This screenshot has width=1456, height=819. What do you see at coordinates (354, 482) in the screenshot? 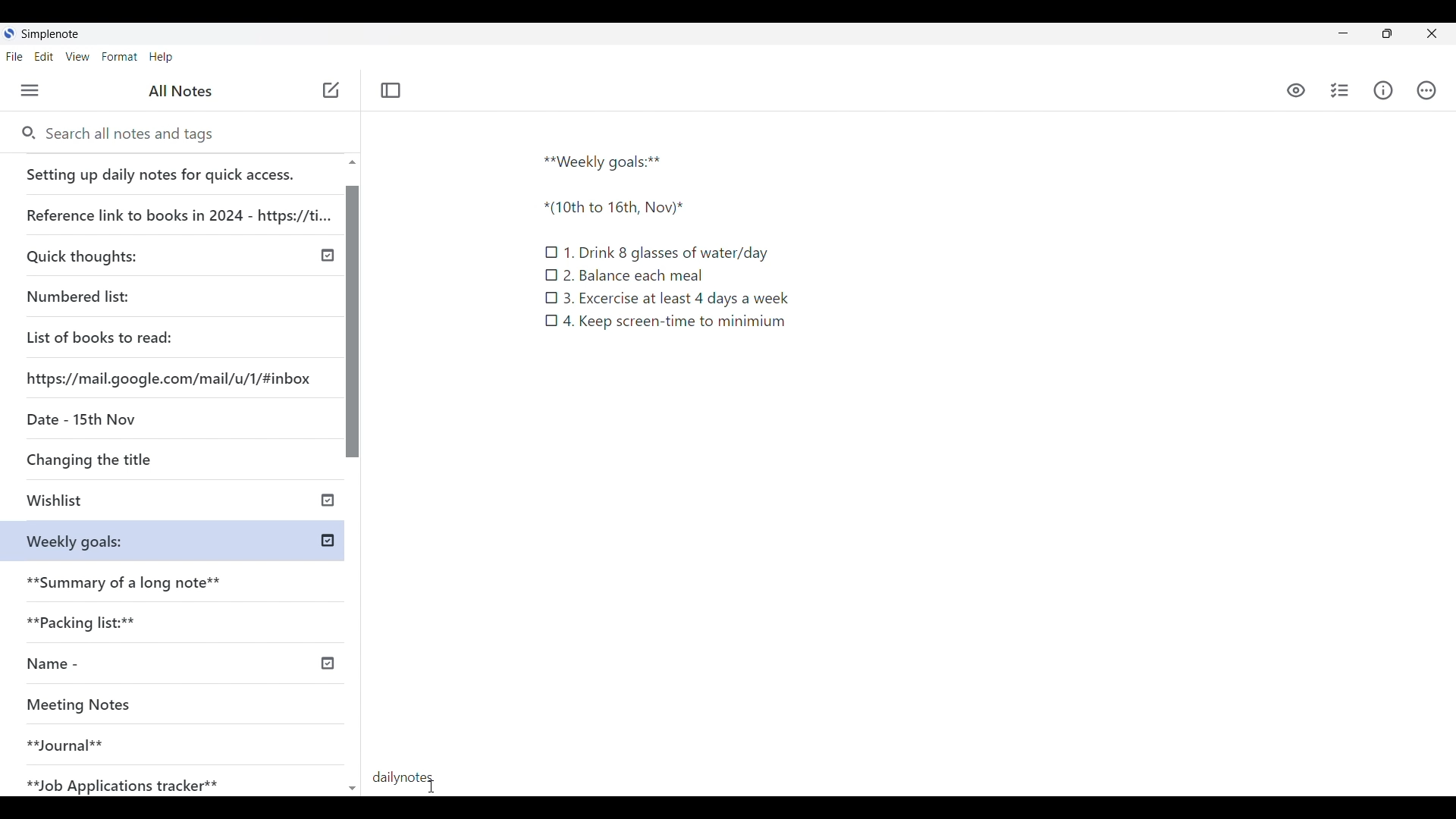
I see `Vertical slide bar` at bounding box center [354, 482].